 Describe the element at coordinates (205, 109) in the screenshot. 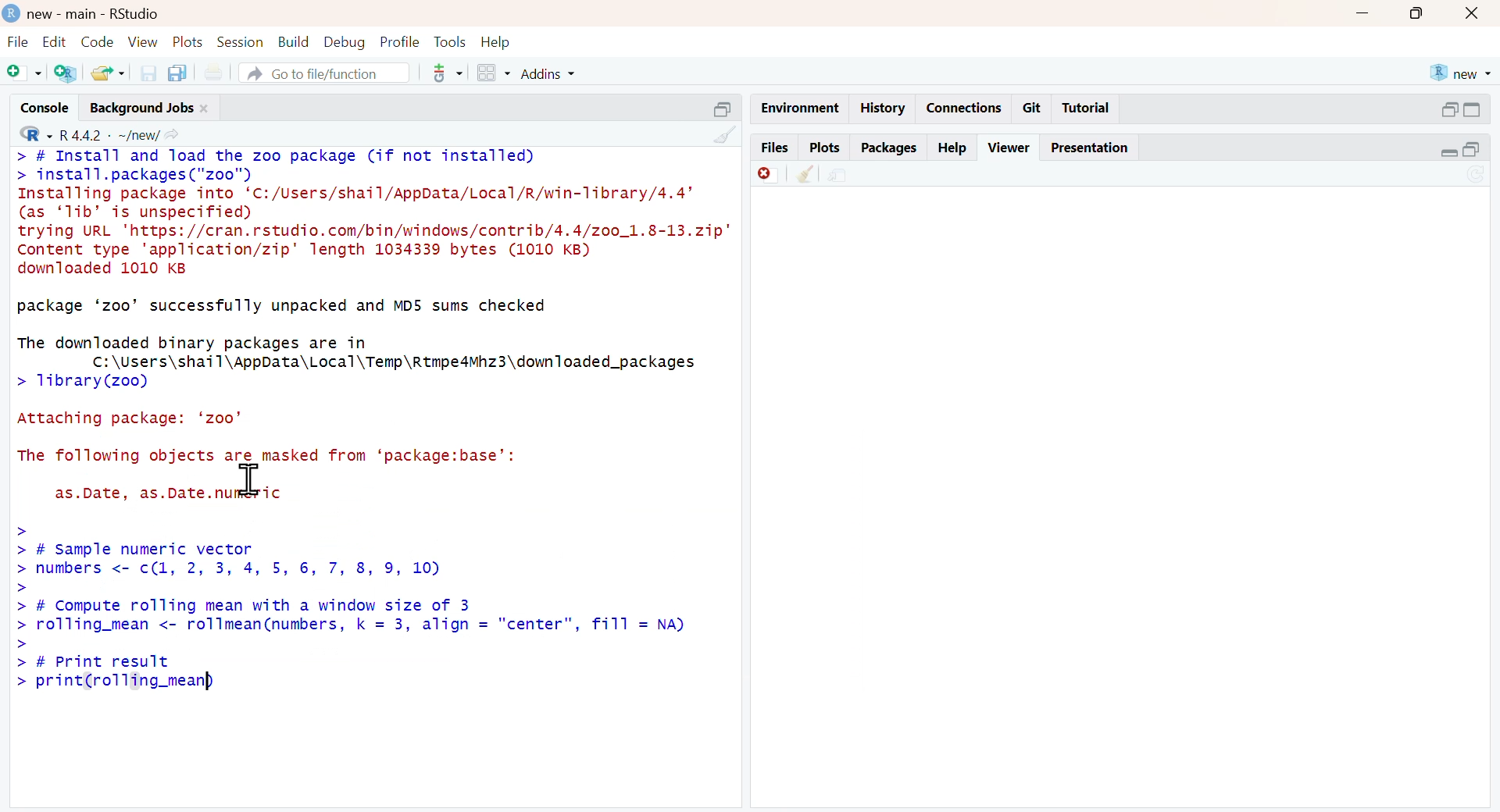

I see `close` at that location.